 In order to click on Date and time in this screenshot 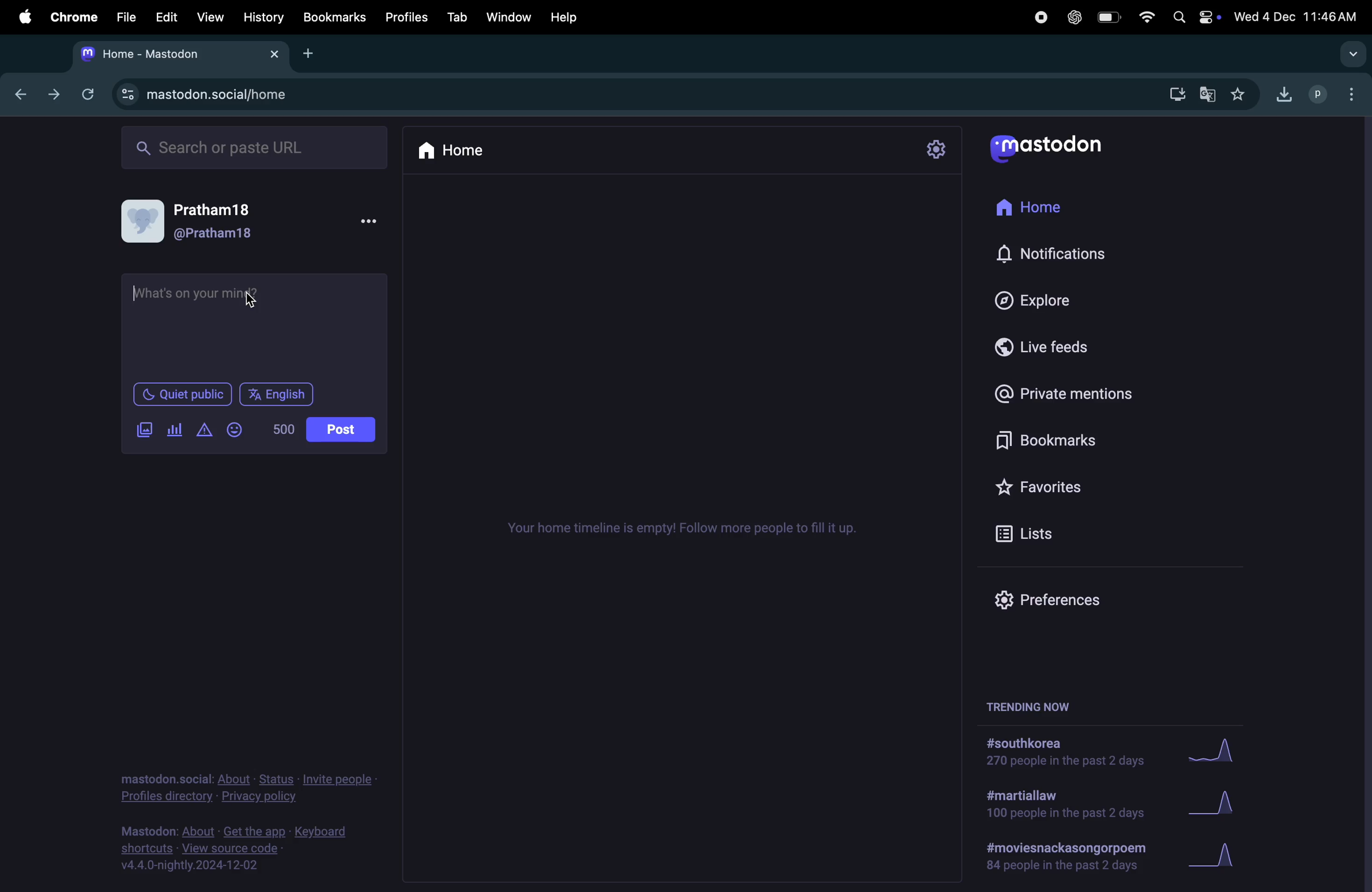, I will do `click(1297, 14)`.